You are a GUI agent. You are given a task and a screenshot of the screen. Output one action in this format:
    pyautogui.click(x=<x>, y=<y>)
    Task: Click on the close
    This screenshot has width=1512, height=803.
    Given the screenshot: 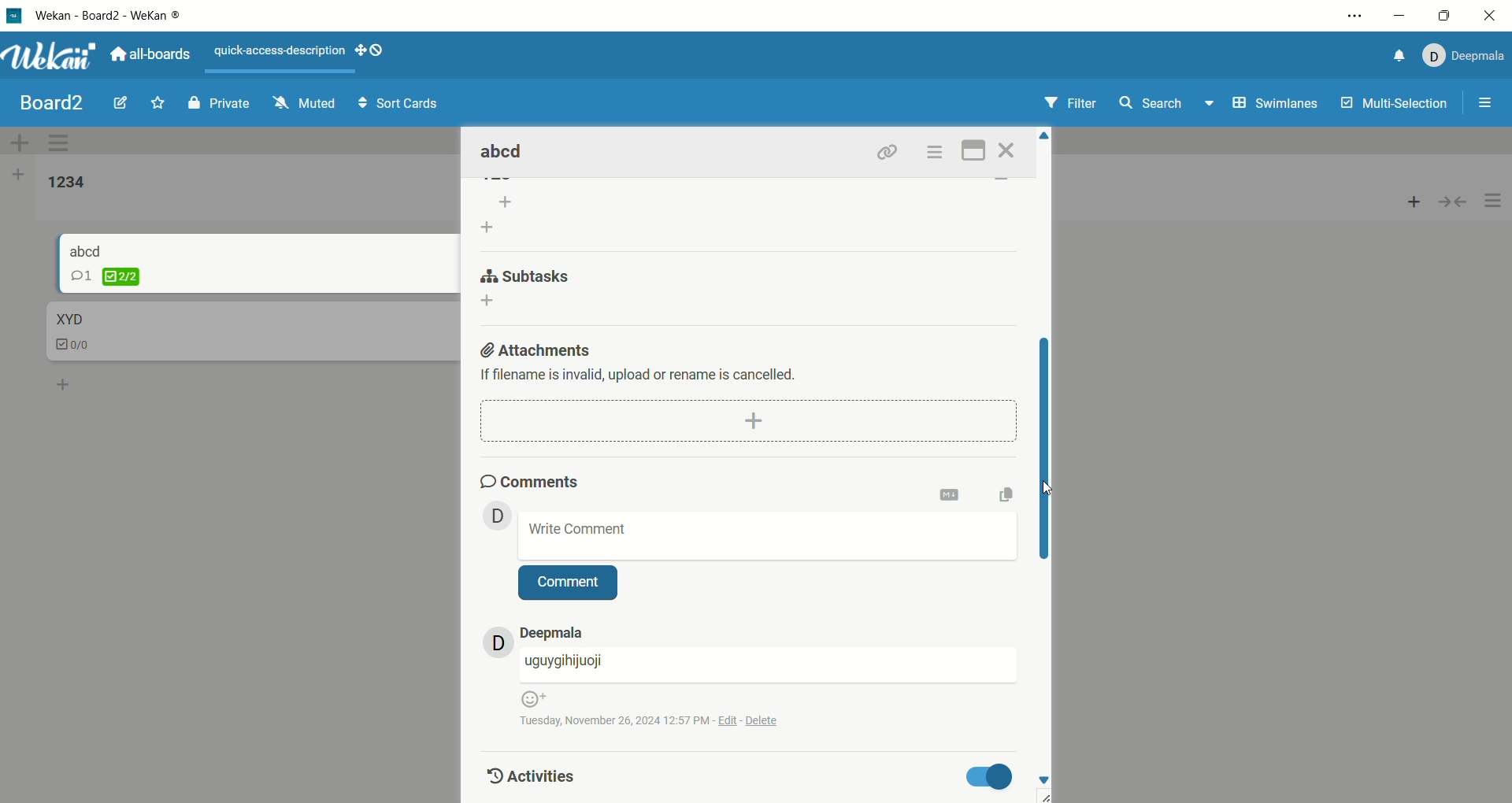 What is the action you would take?
    pyautogui.click(x=1010, y=150)
    